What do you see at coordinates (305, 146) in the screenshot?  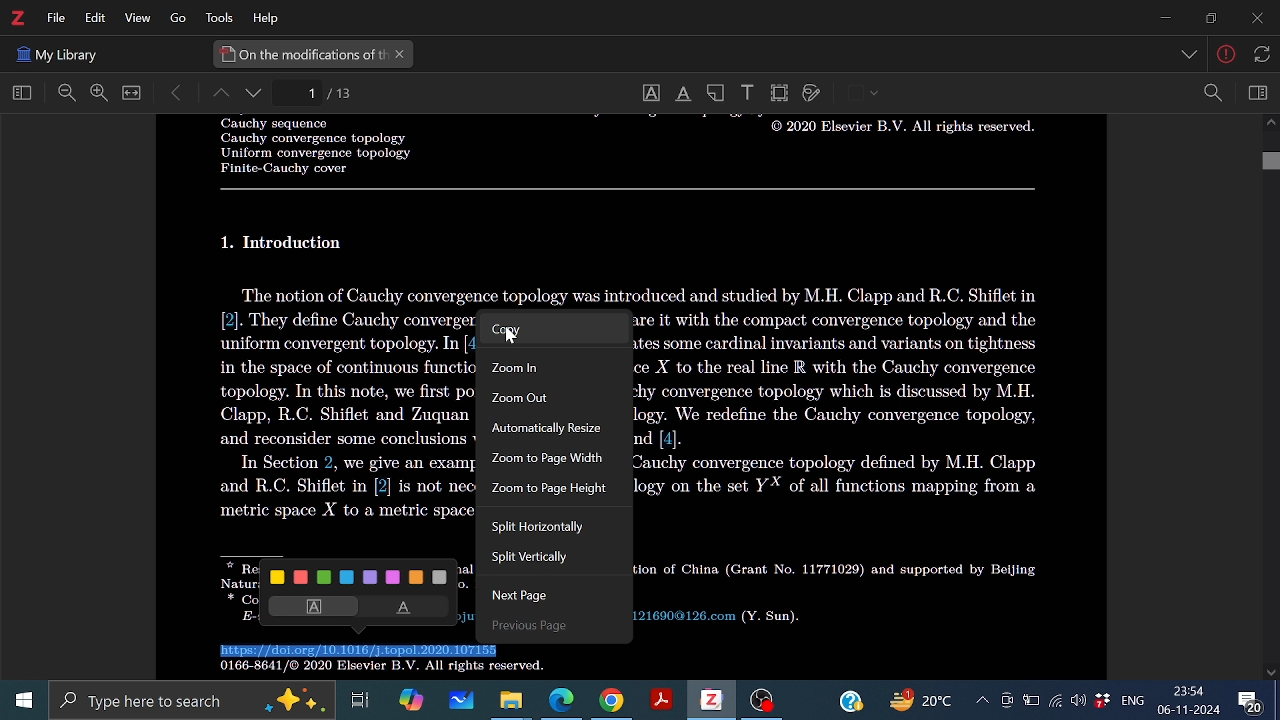 I see `` at bounding box center [305, 146].